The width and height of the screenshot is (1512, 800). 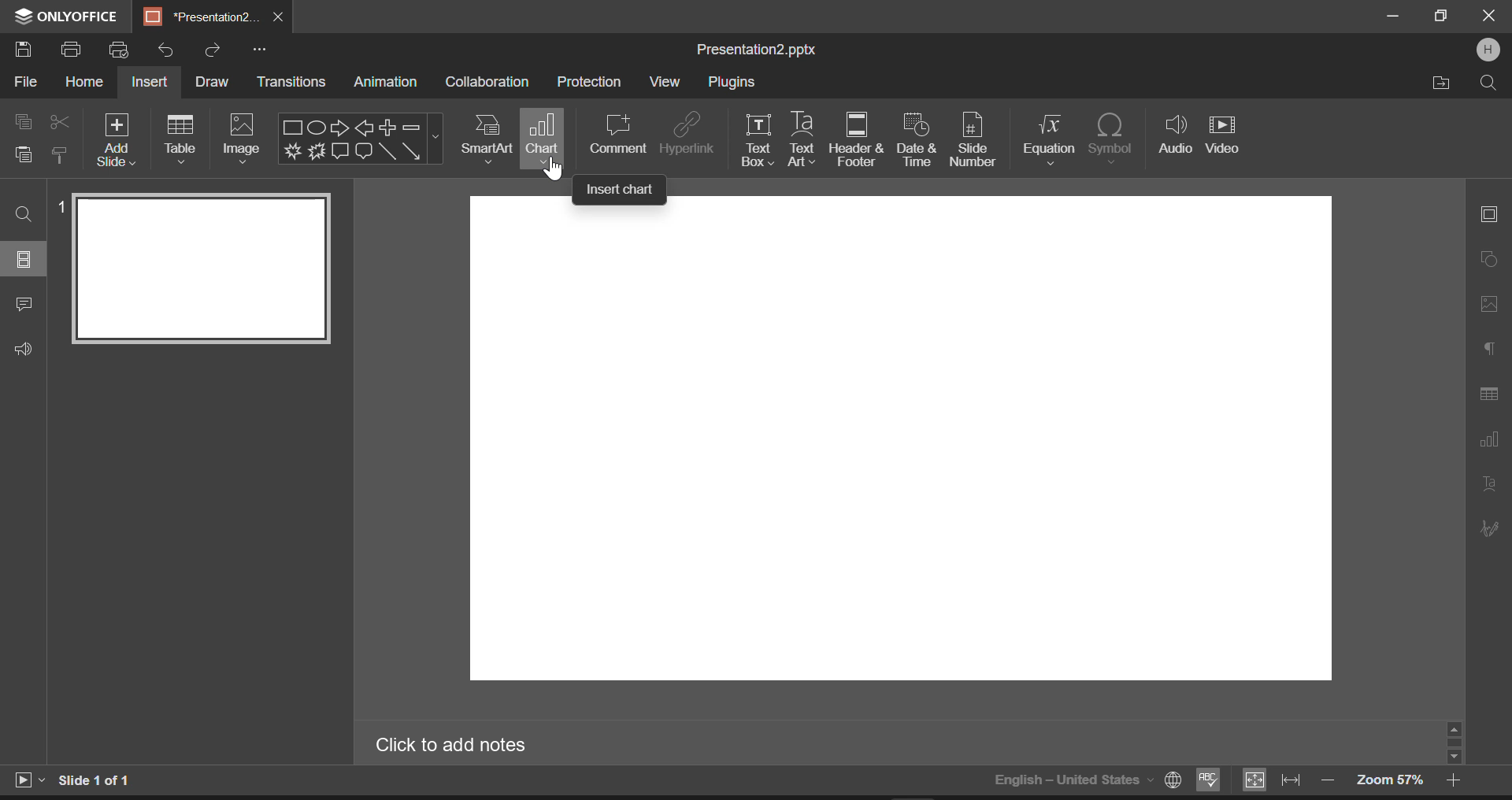 I want to click on Rectangle, so click(x=293, y=128).